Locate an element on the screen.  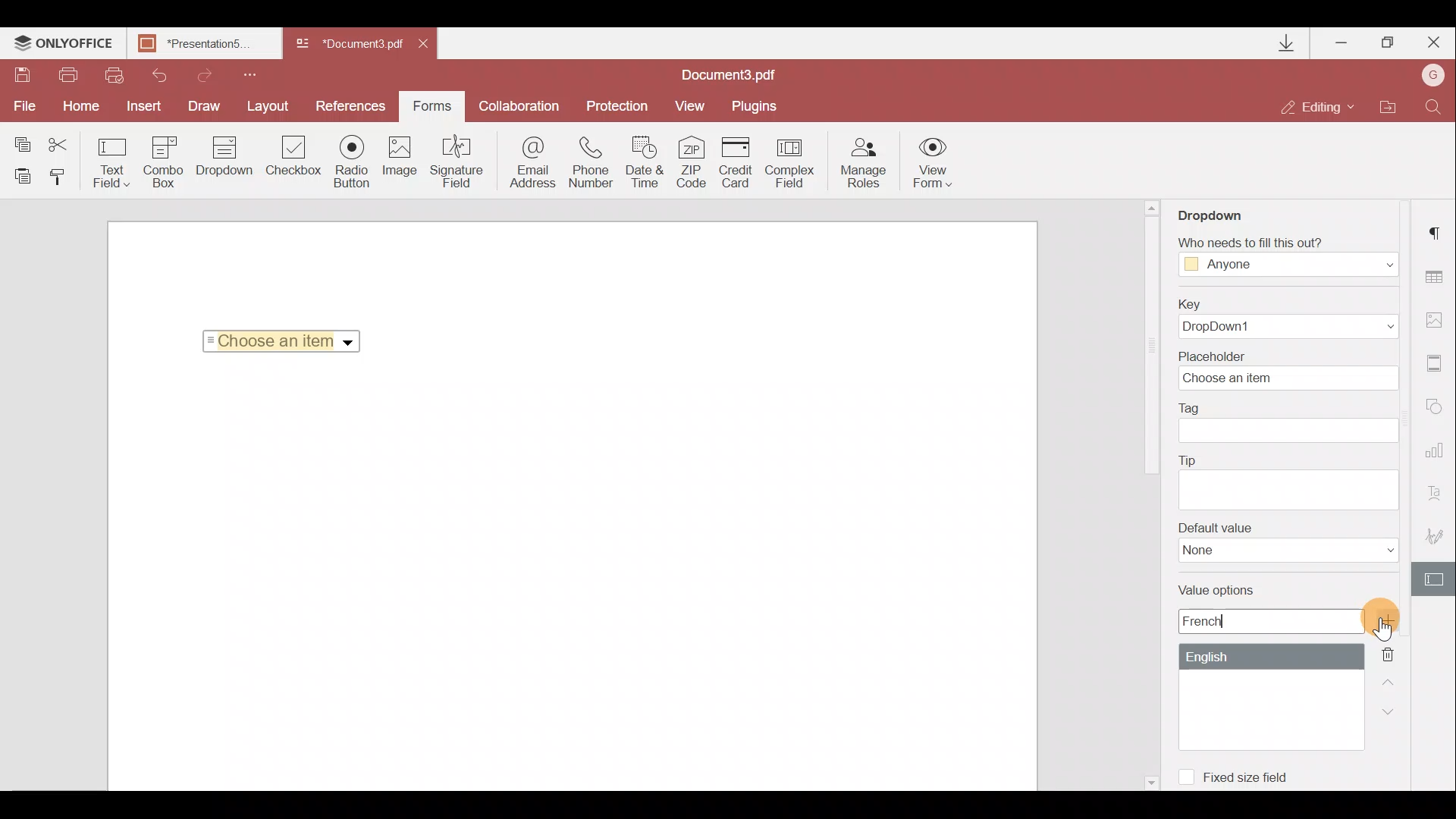
ZIP code is located at coordinates (696, 165).